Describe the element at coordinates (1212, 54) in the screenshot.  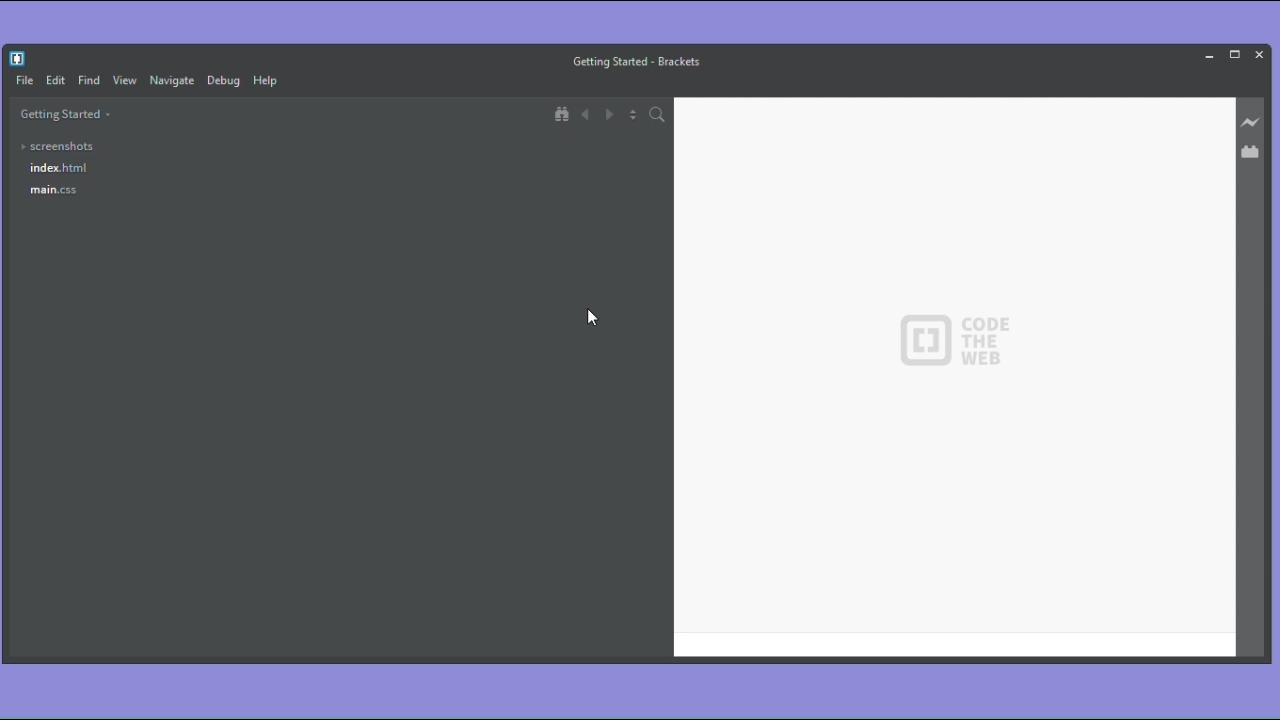
I see `Minimise` at that location.